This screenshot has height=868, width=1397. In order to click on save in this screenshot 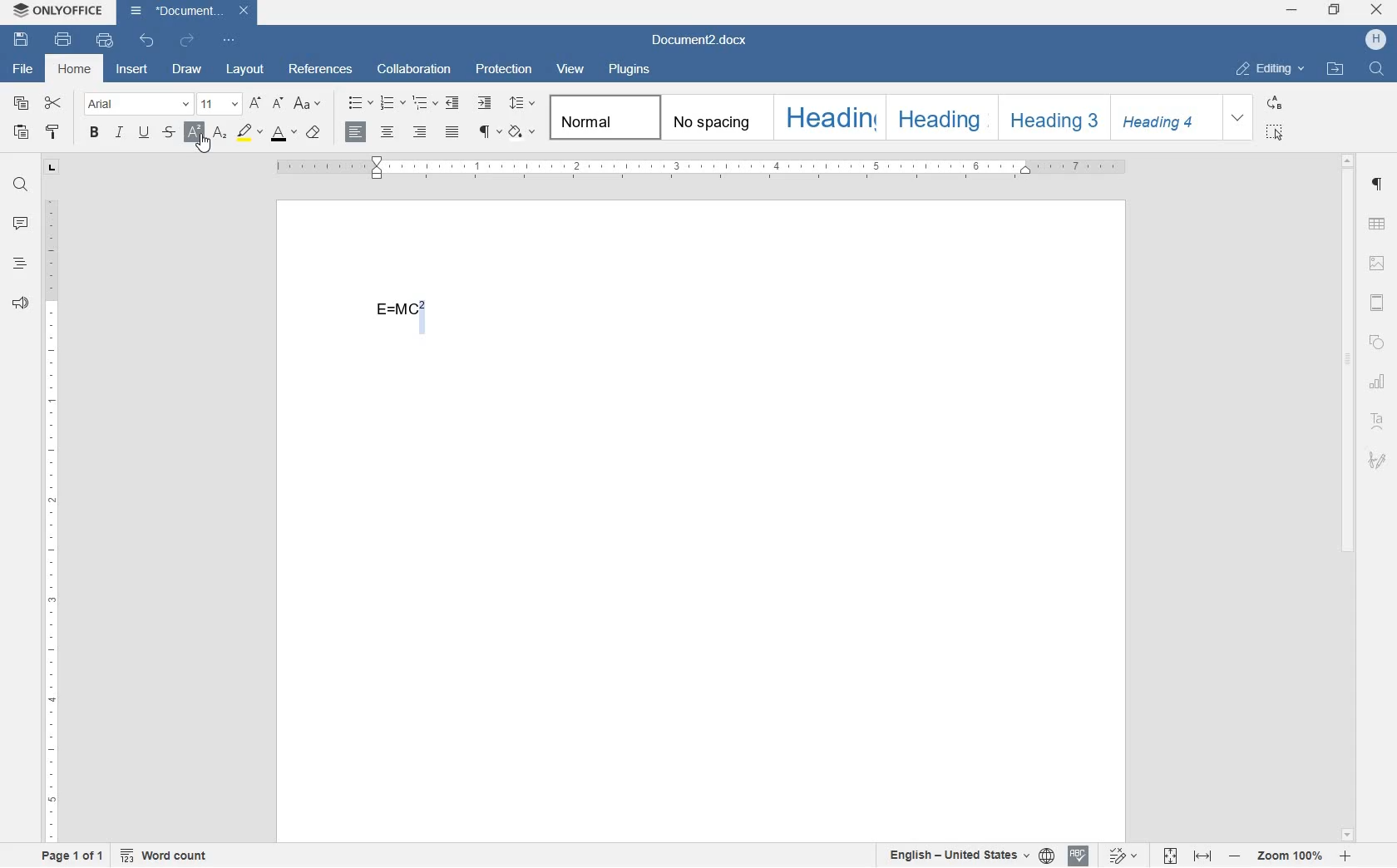, I will do `click(21, 40)`.